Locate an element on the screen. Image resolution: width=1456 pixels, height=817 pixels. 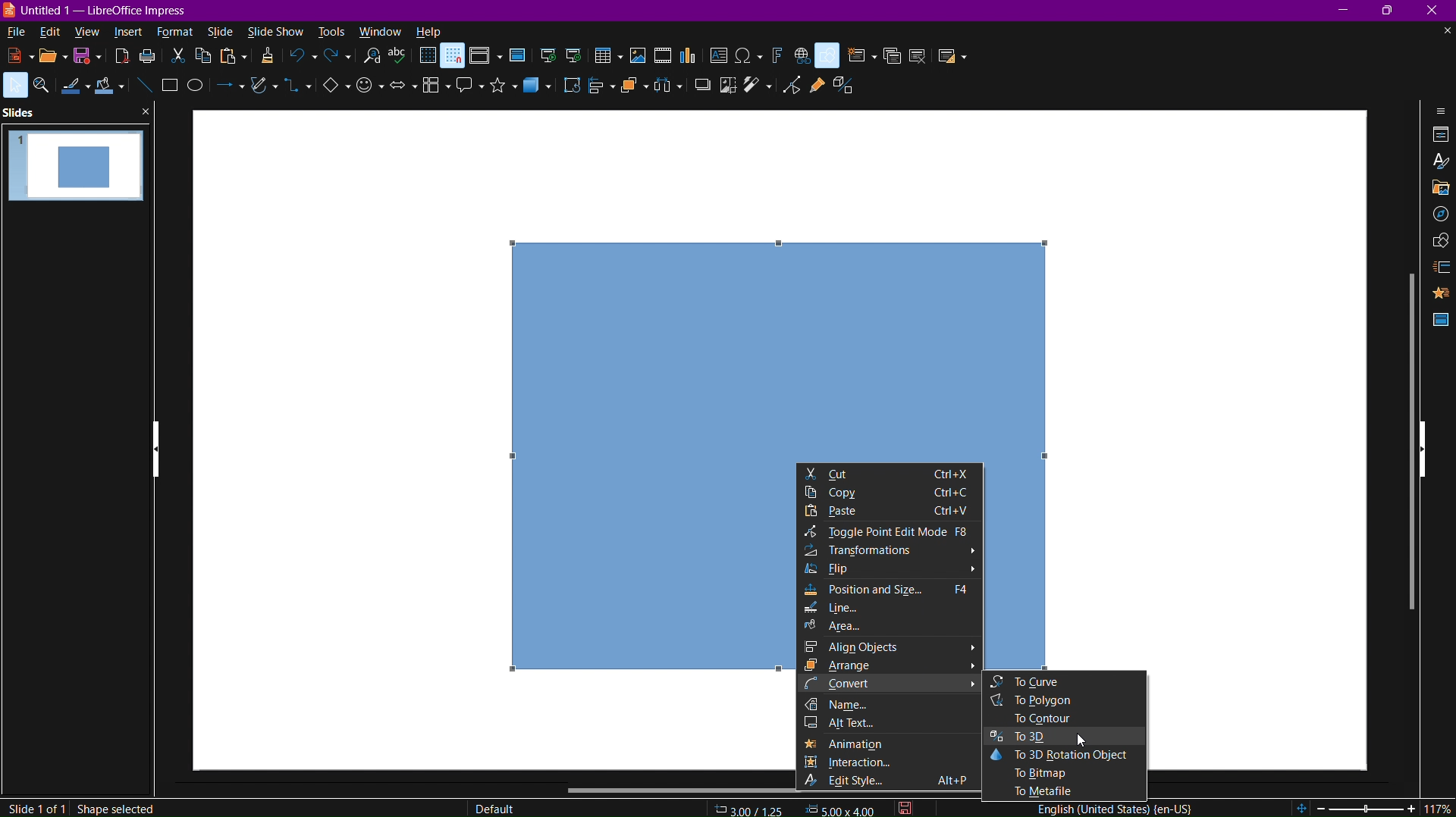
Arrange is located at coordinates (889, 667).